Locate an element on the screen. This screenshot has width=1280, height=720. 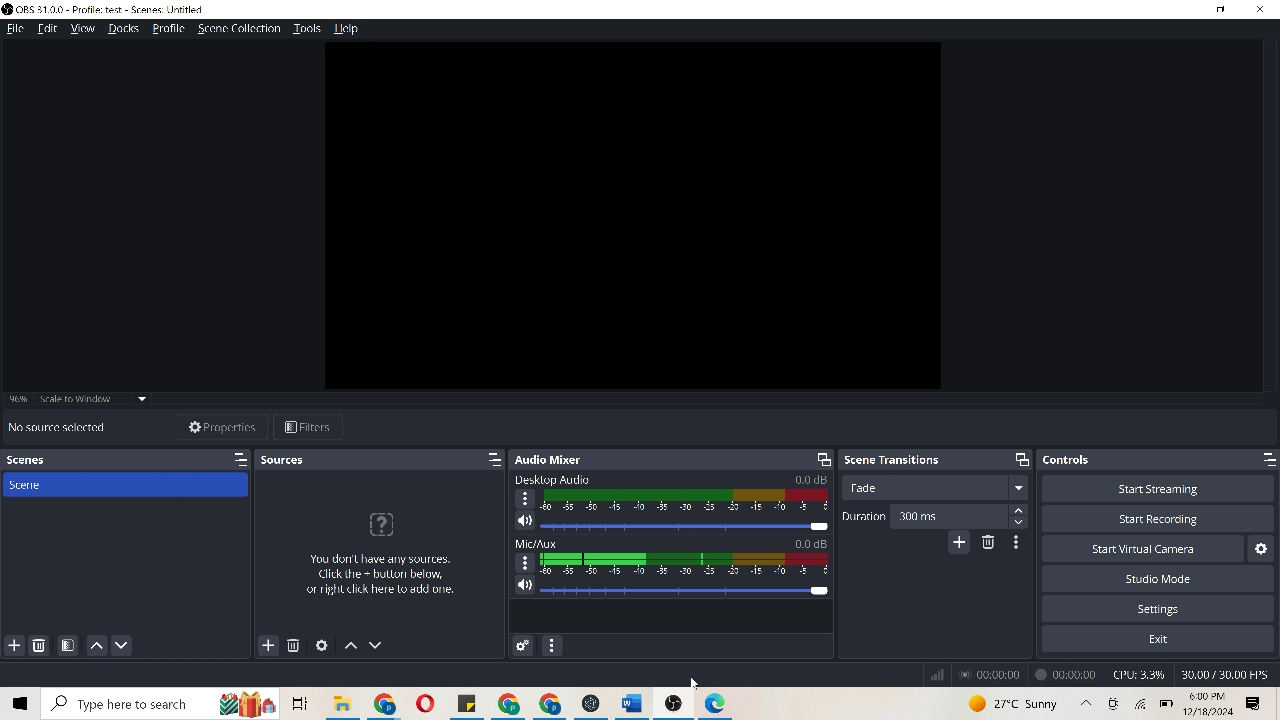
OBS 31.0.0-profile:test is located at coordinates (117, 9).